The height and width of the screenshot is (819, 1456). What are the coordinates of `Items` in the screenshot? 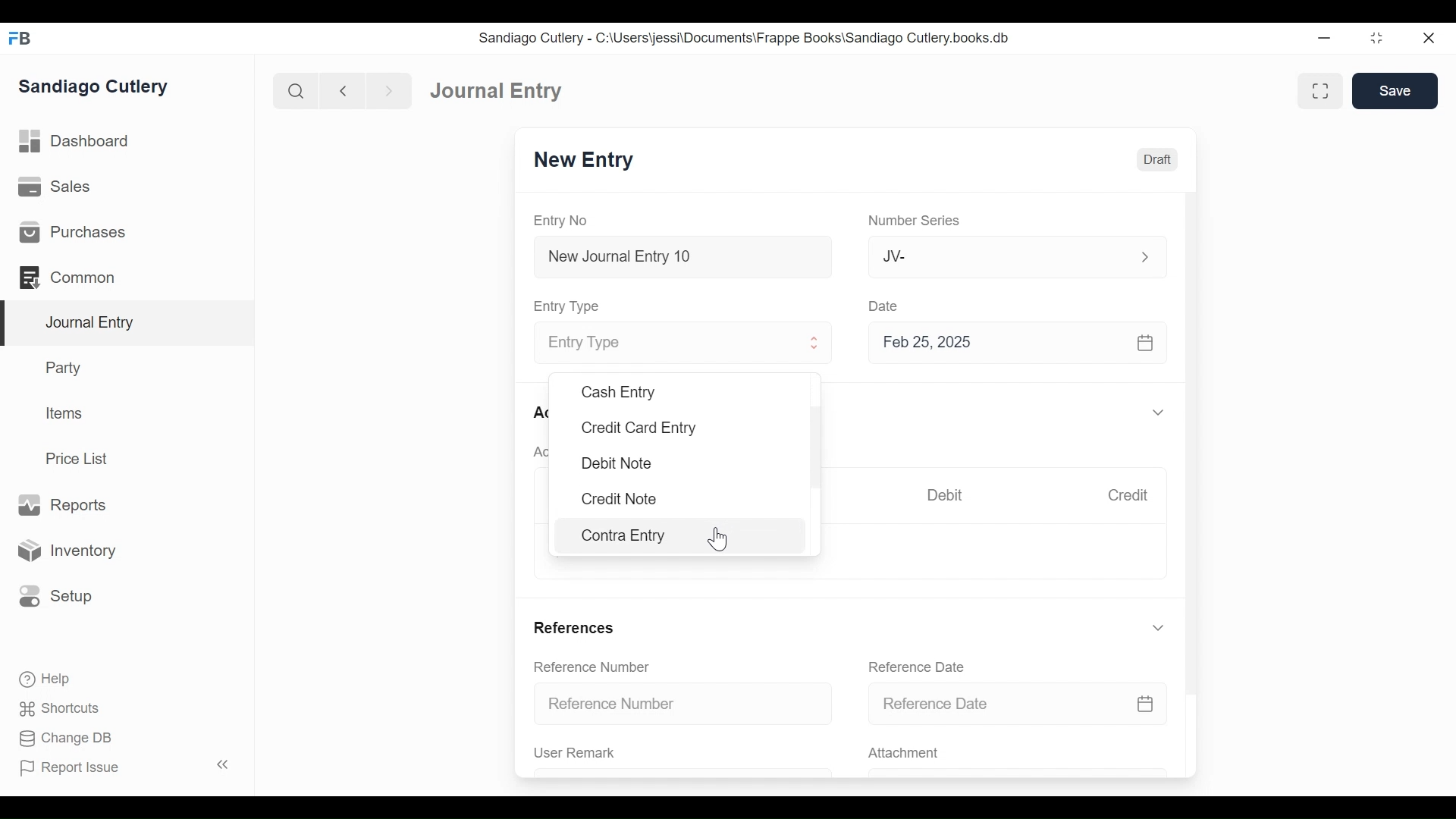 It's located at (66, 415).